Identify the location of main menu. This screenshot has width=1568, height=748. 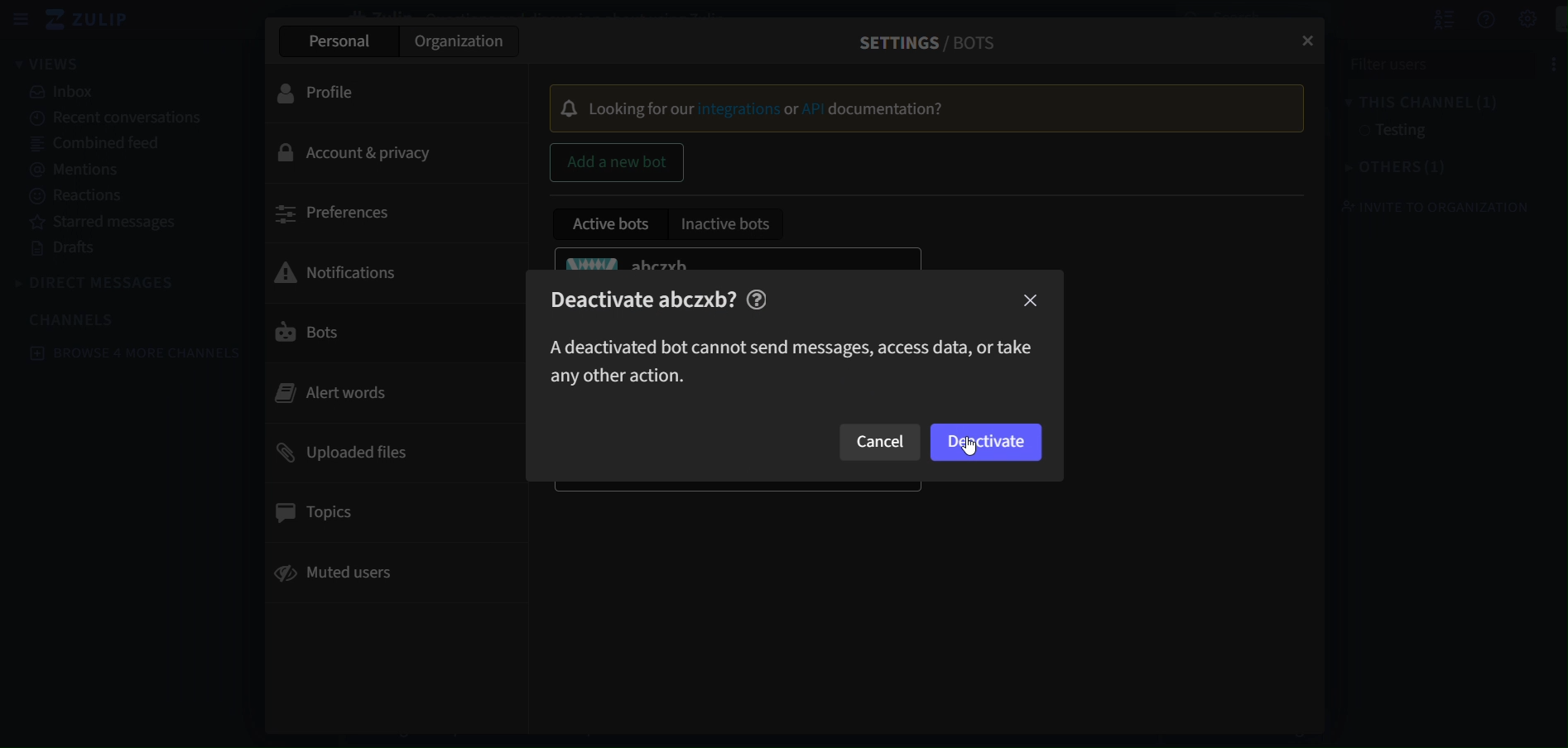
(1509, 19).